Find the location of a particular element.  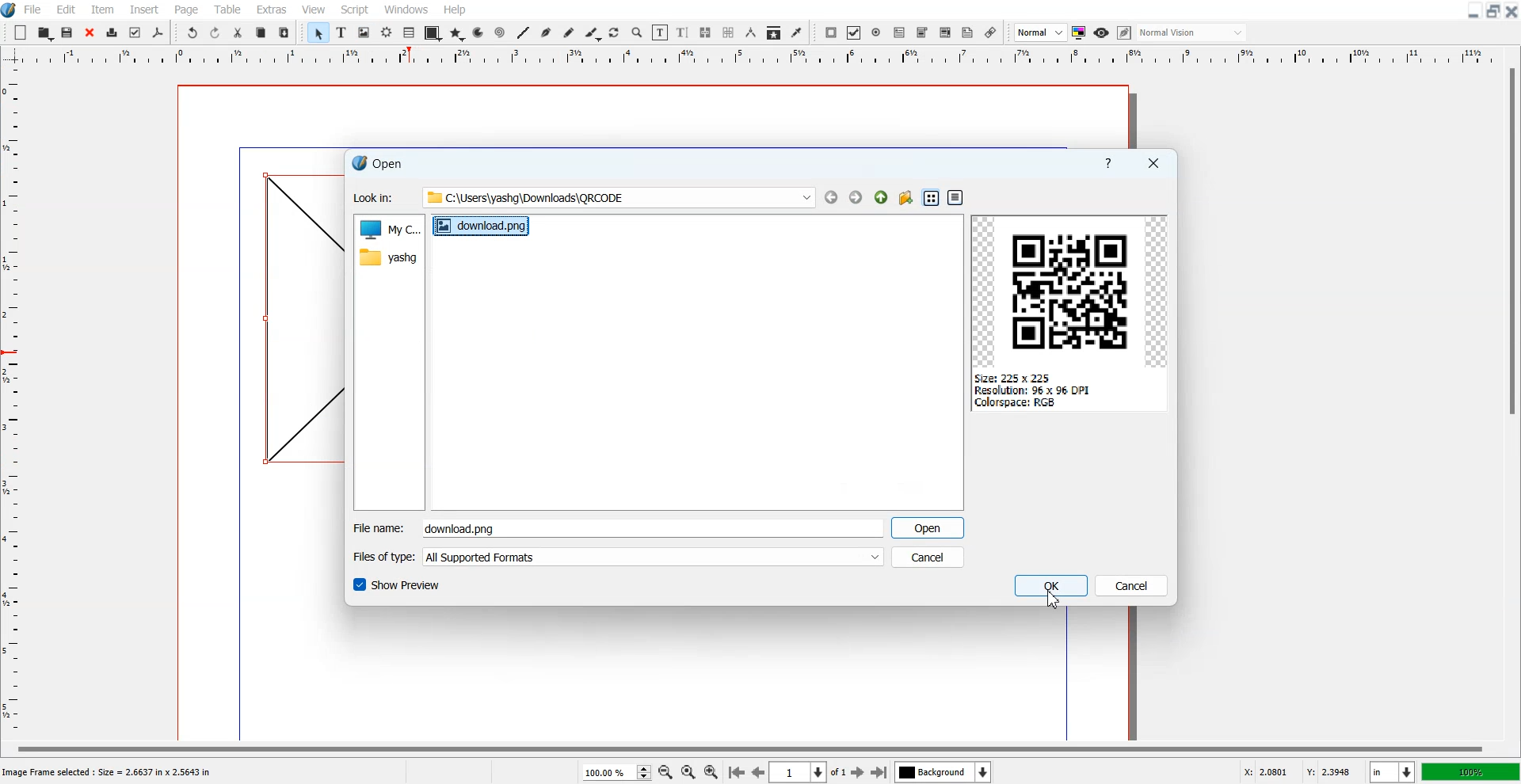

PDF Combo Box is located at coordinates (922, 33).